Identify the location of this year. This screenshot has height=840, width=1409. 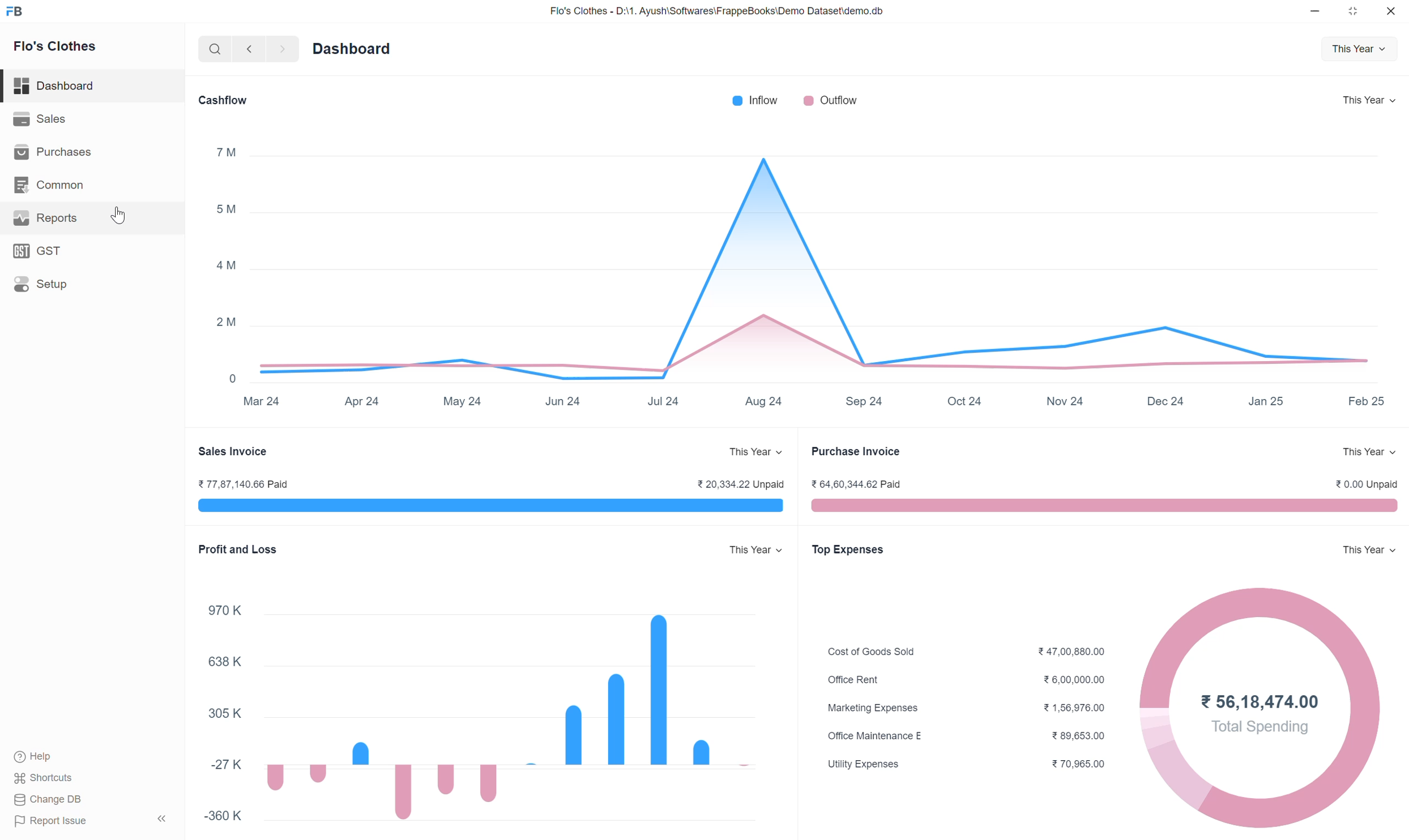
(1367, 547).